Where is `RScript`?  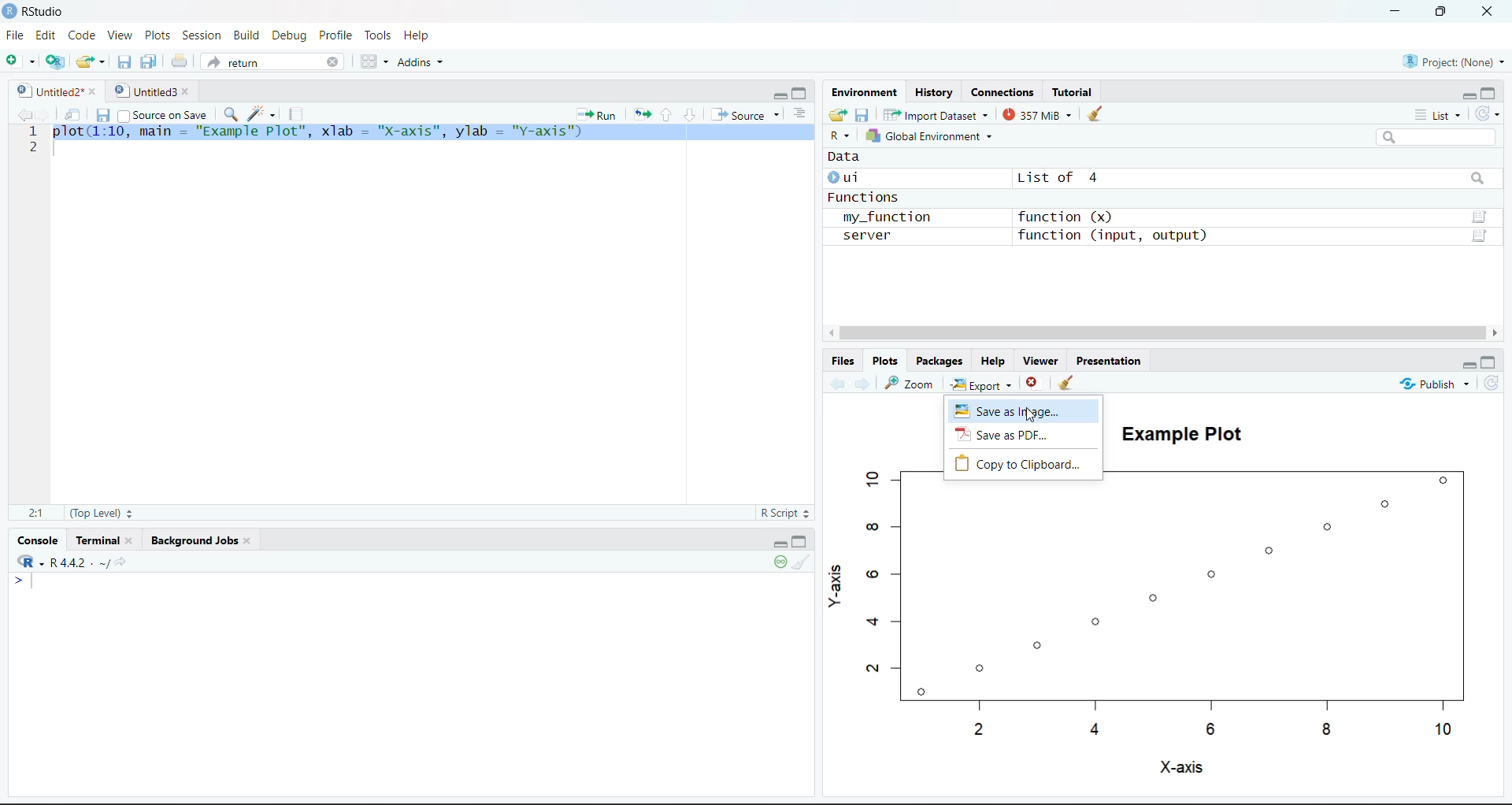 RScript is located at coordinates (784, 514).